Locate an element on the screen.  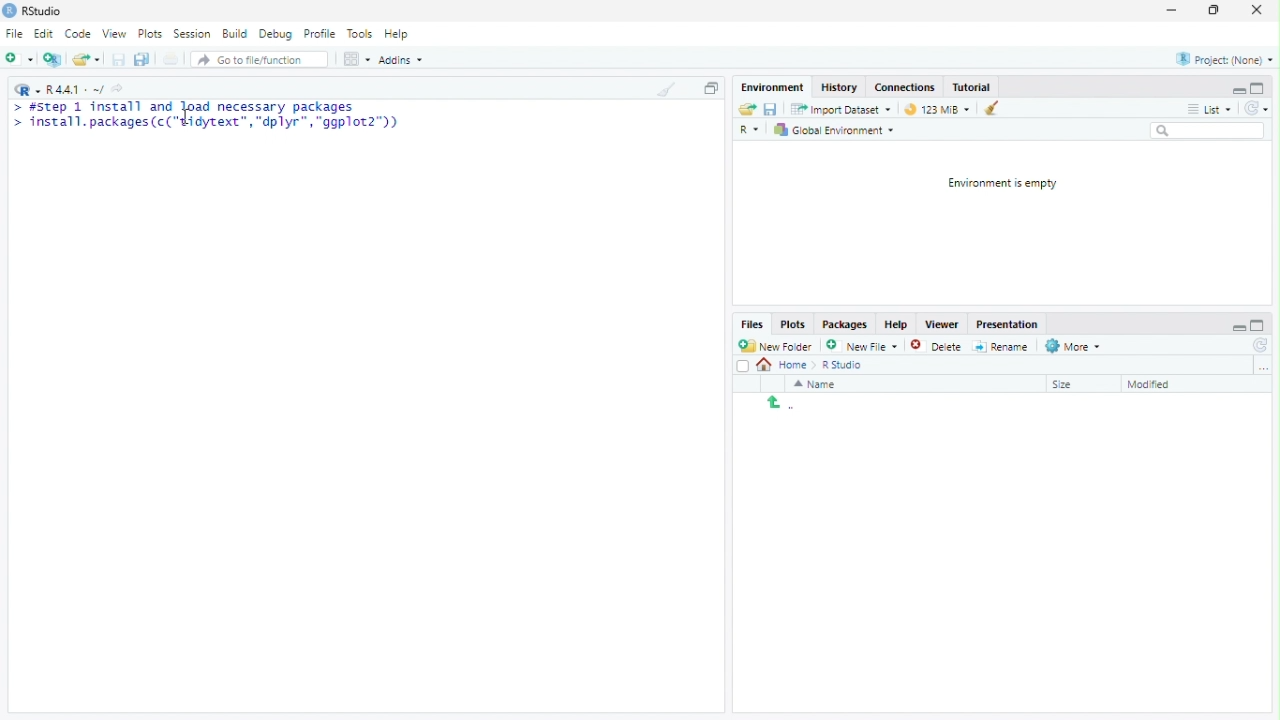
Tools is located at coordinates (360, 34).